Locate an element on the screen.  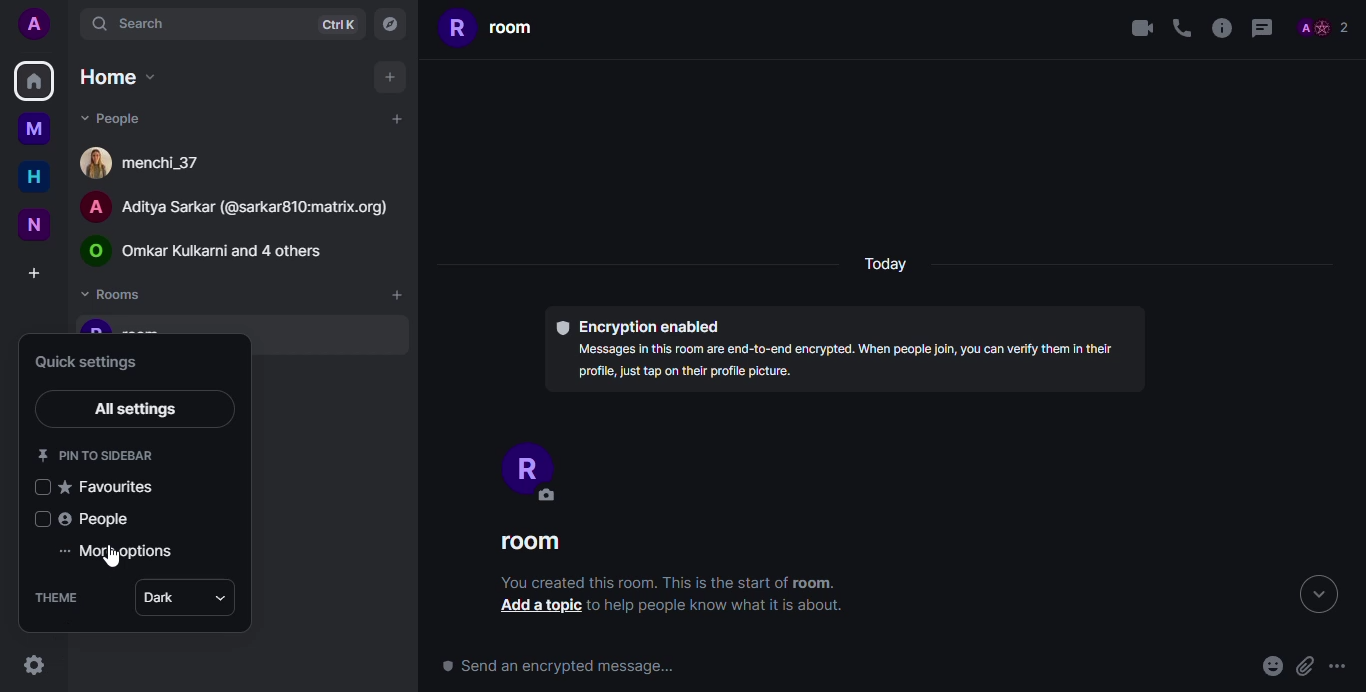
quick settings is located at coordinates (32, 666).